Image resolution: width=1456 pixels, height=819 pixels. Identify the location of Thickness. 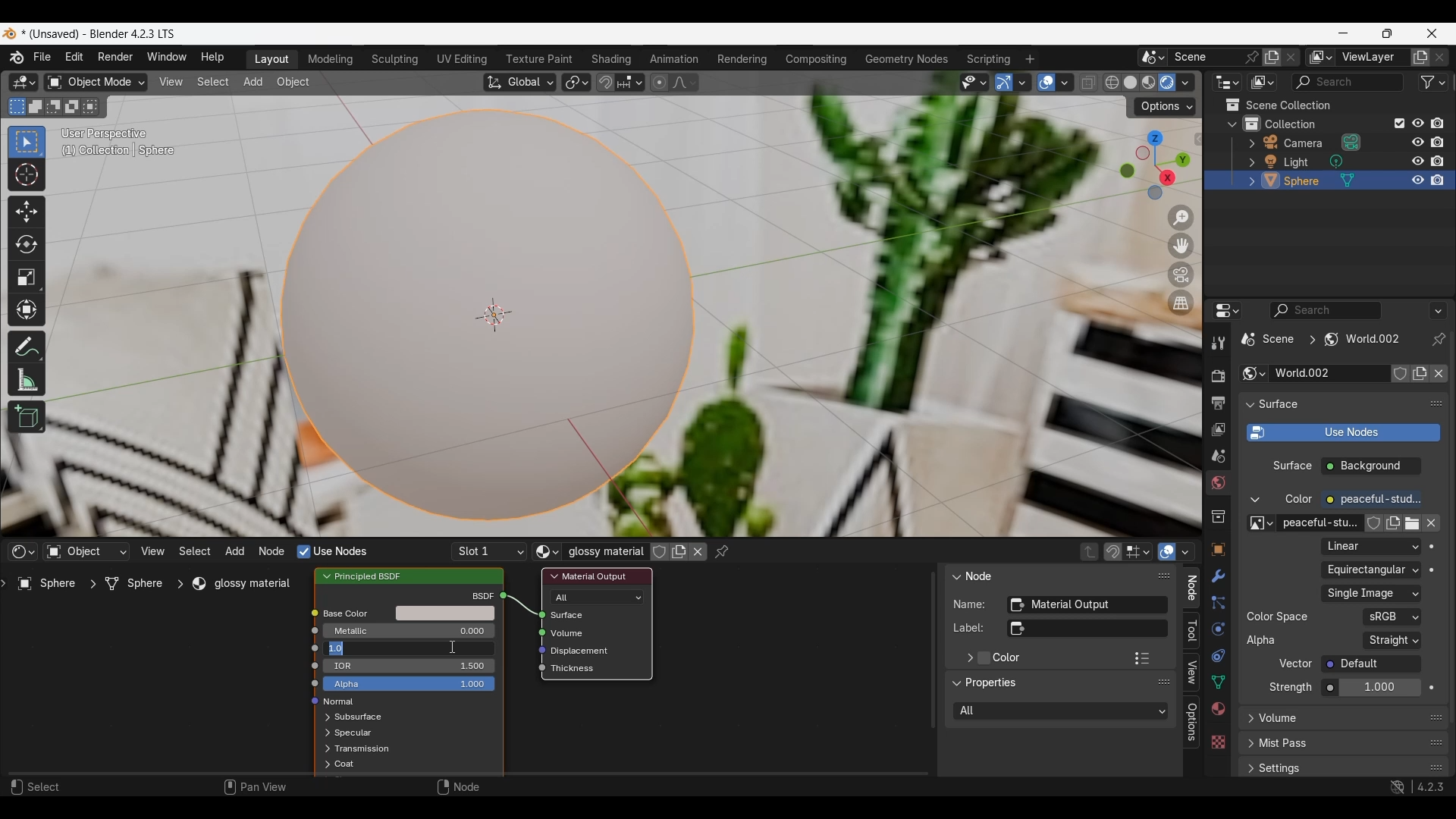
(576, 669).